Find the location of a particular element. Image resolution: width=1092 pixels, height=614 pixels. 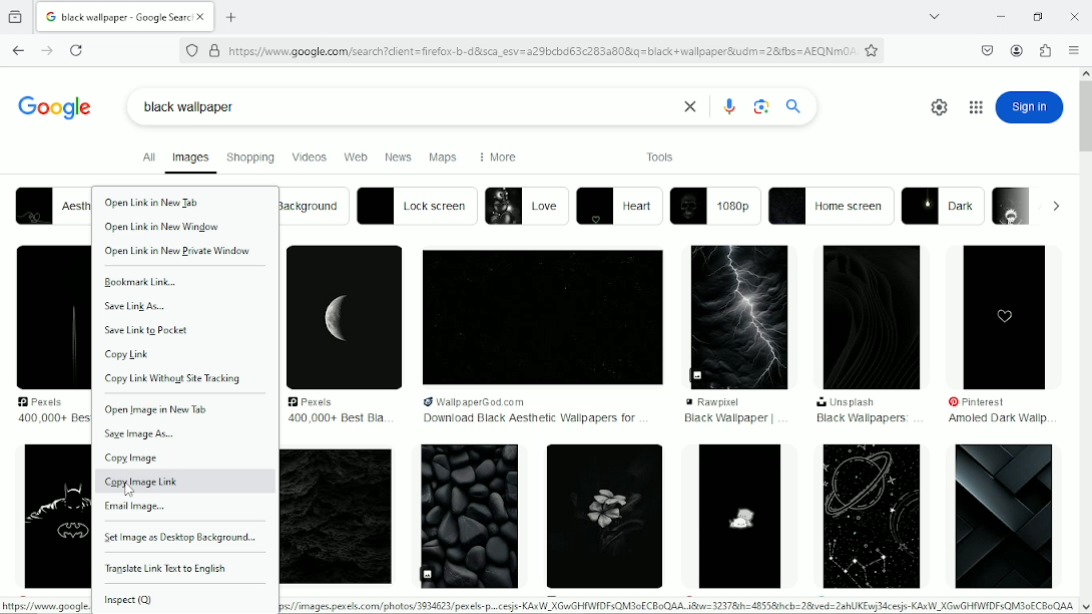

close is located at coordinates (687, 107).